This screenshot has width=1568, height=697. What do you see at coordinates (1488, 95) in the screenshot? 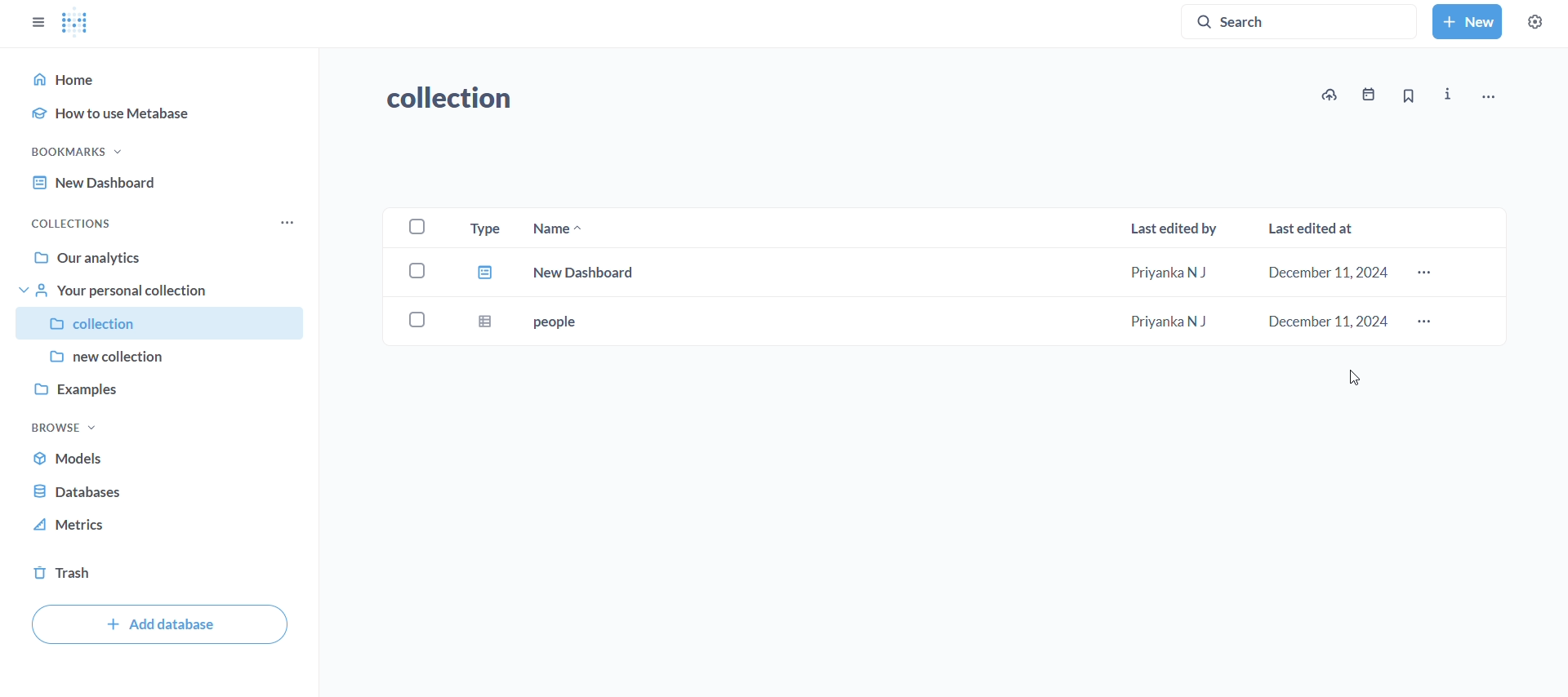
I see `move, trash, and more` at bounding box center [1488, 95].